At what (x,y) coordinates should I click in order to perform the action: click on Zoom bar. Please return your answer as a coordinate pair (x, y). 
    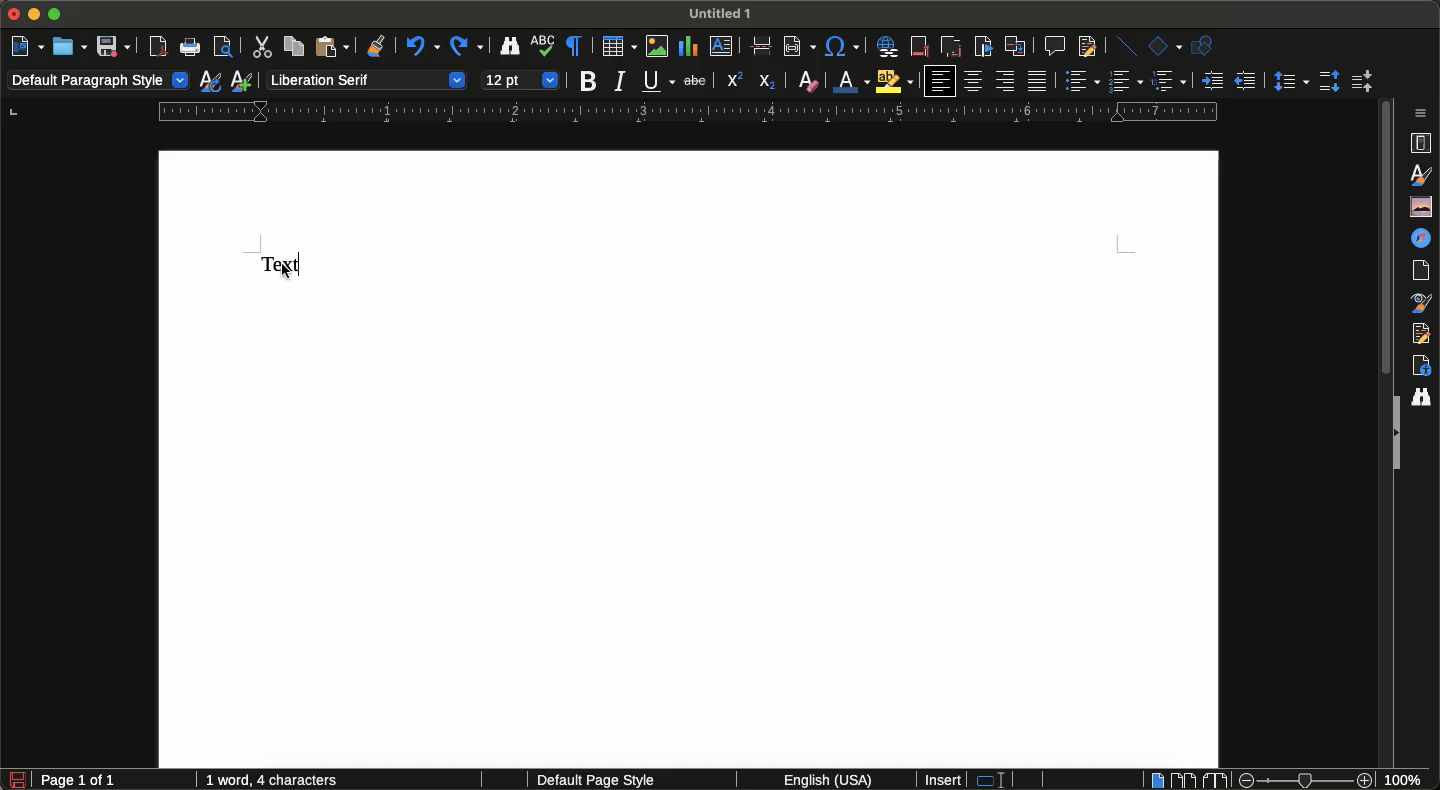
    Looking at the image, I should click on (1304, 780).